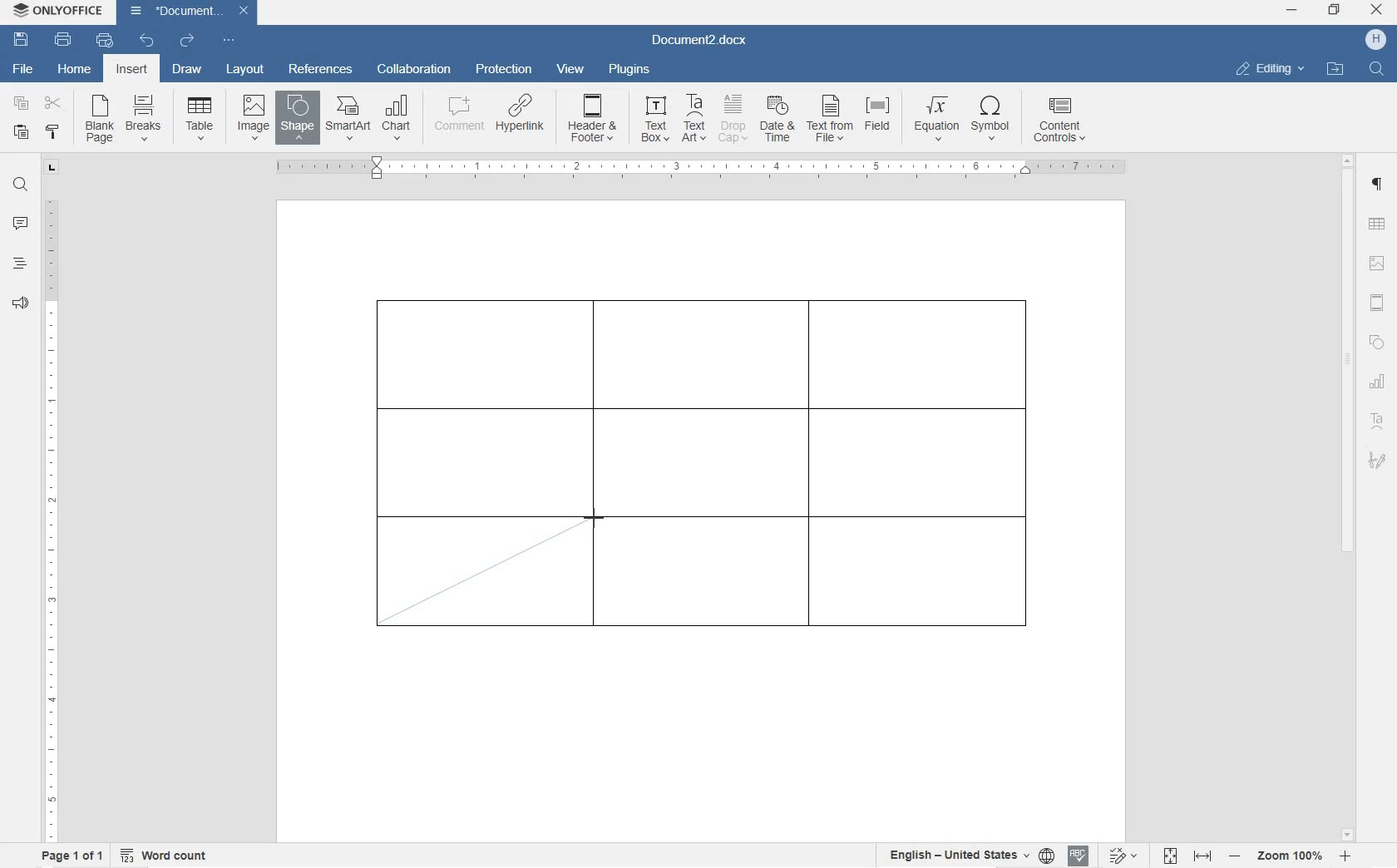 This screenshot has width=1397, height=868. Describe the element at coordinates (1079, 857) in the screenshot. I see `spell check` at that location.